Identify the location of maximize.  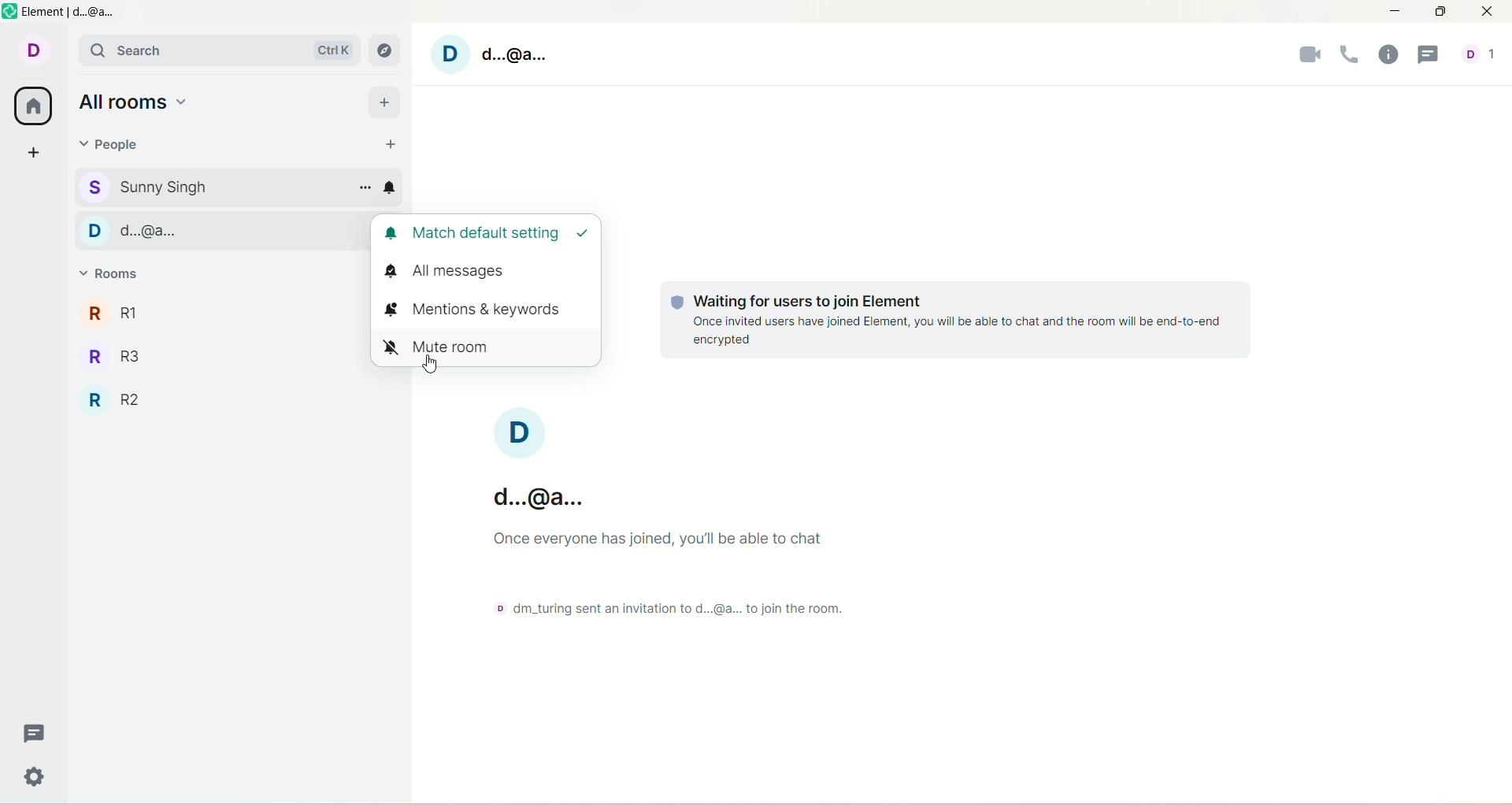
(1439, 13).